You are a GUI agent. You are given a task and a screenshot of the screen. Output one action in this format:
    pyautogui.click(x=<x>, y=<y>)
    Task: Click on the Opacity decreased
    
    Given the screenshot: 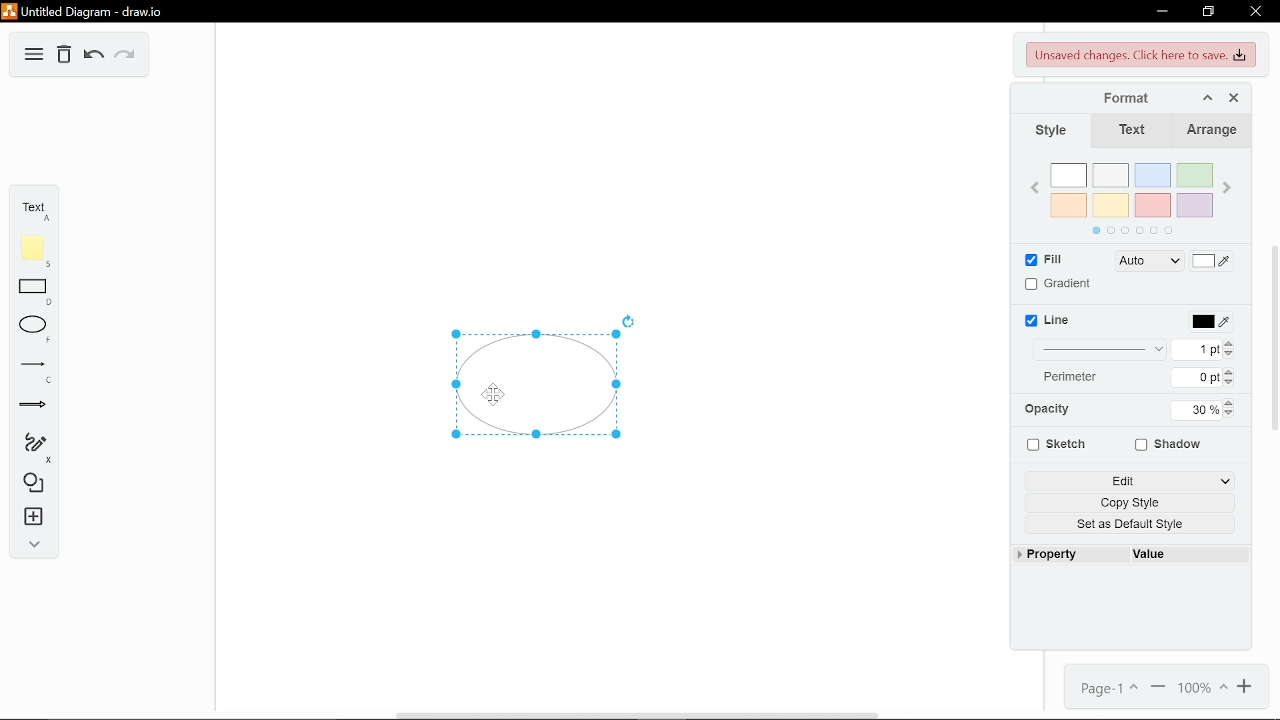 What is the action you would take?
    pyautogui.click(x=539, y=389)
    